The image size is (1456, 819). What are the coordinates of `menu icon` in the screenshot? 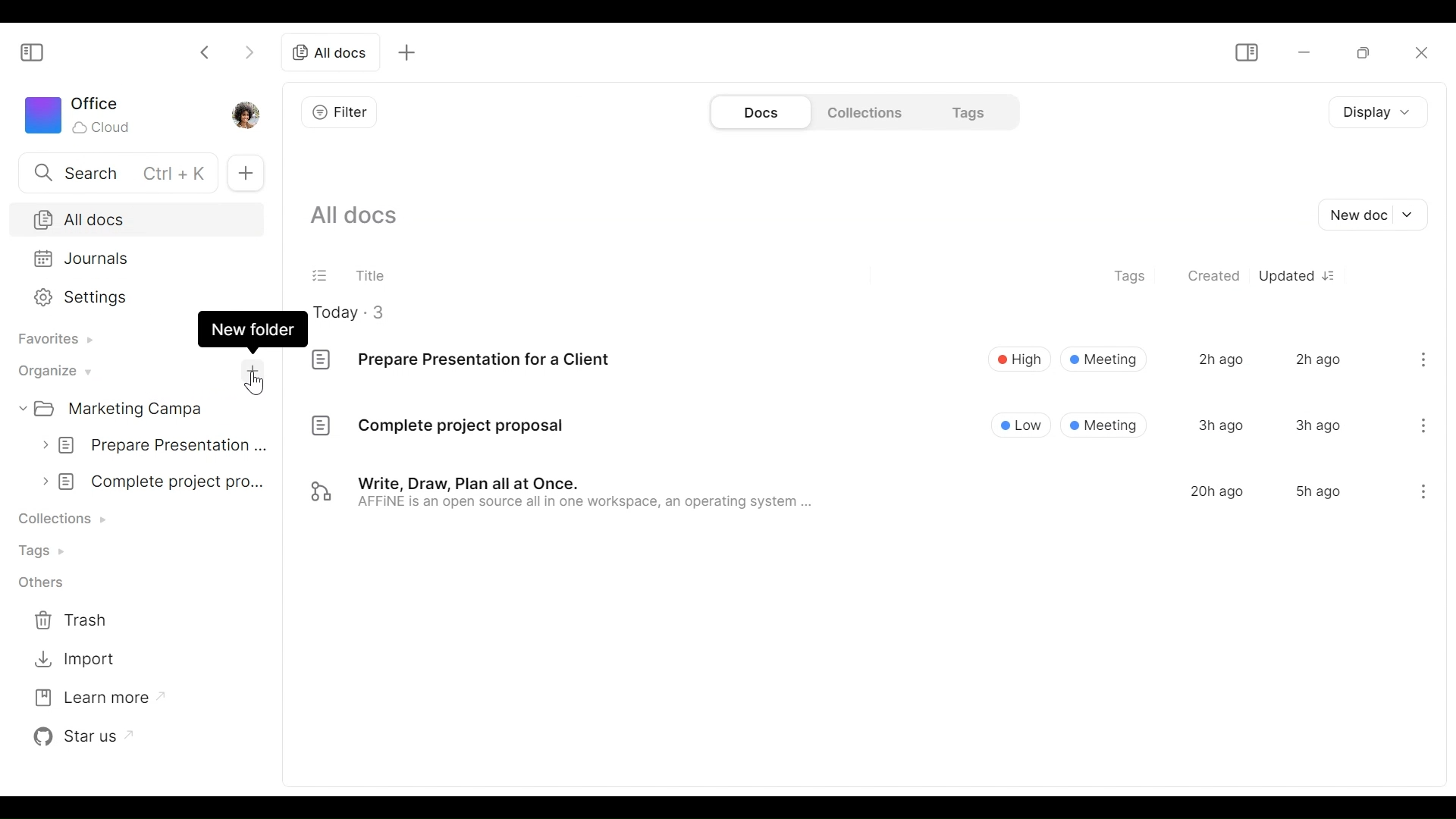 It's located at (1424, 357).